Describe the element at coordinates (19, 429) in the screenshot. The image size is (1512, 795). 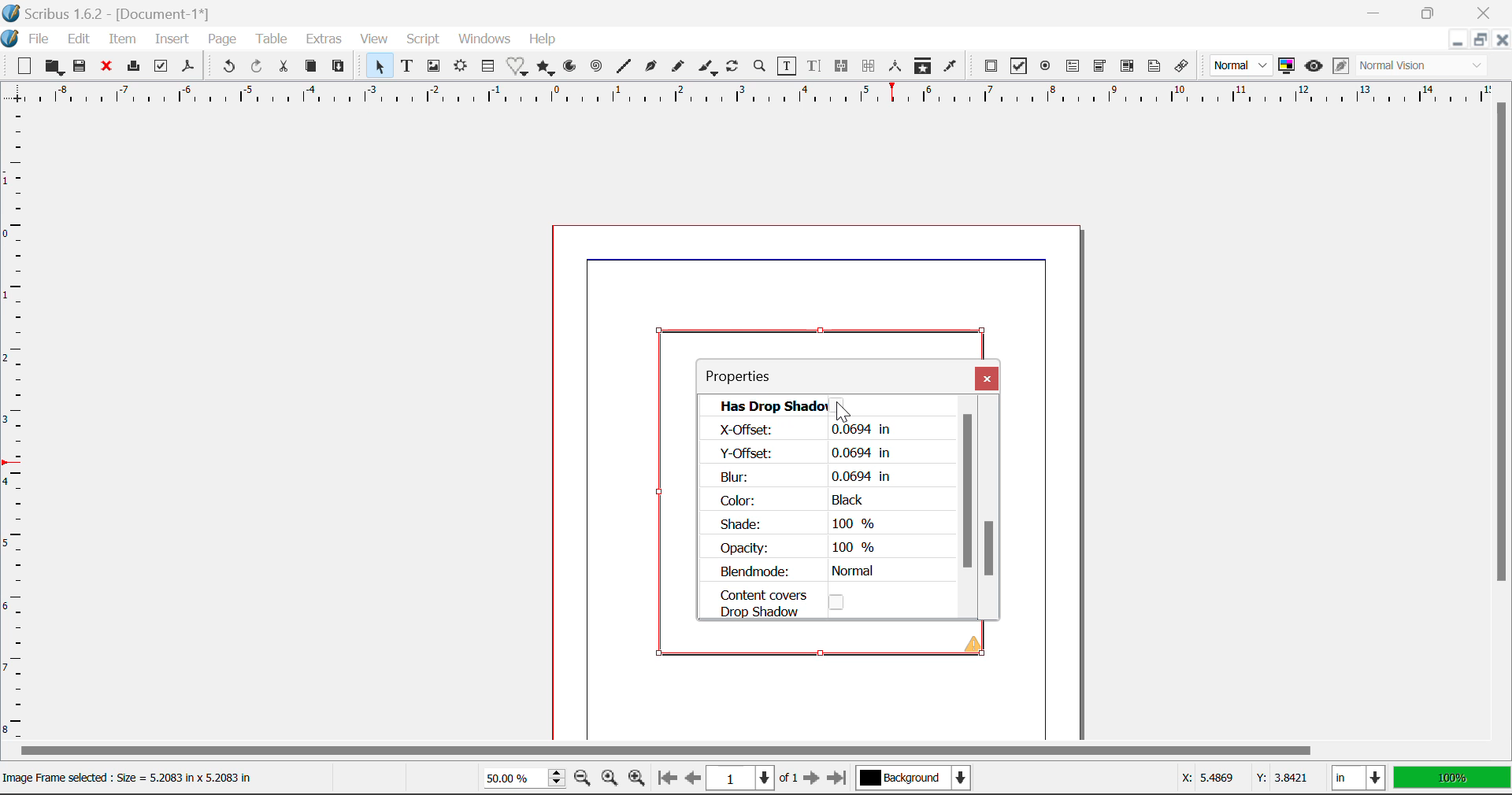
I see `Horizontal Page Margins` at that location.